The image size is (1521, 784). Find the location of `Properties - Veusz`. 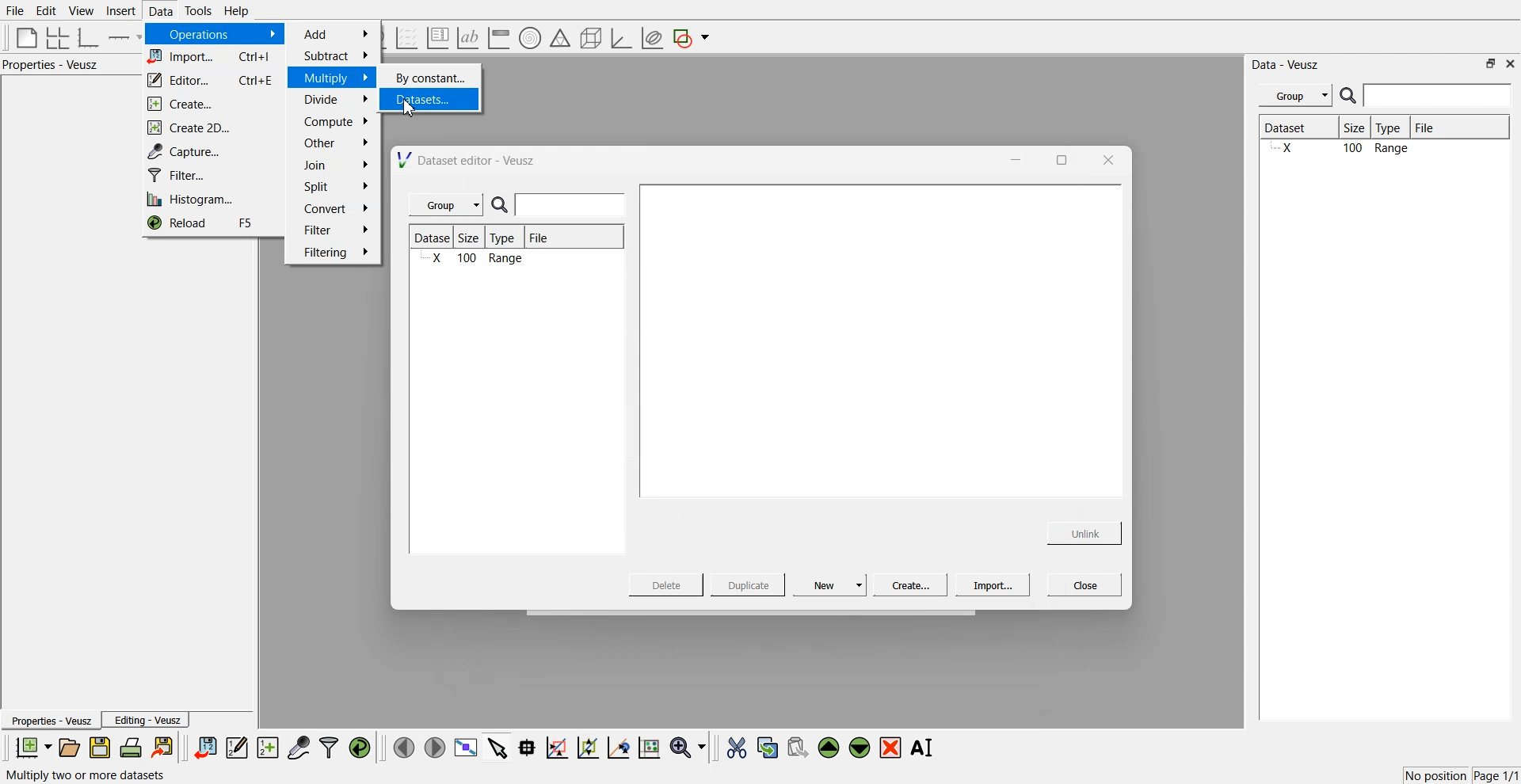

Properties - Veusz is located at coordinates (55, 65).